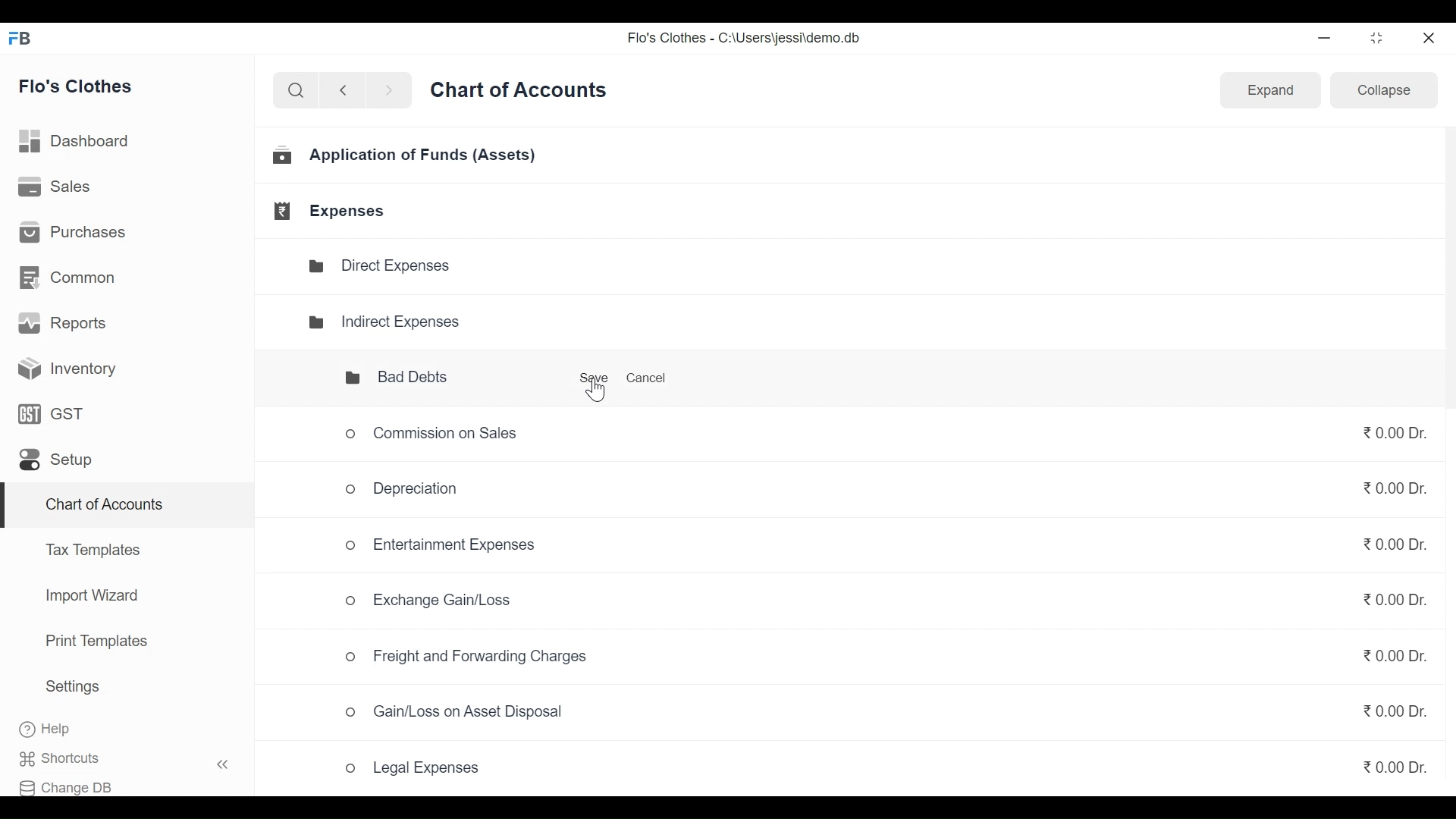  Describe the element at coordinates (413, 770) in the screenshot. I see `Legal Expenses` at that location.